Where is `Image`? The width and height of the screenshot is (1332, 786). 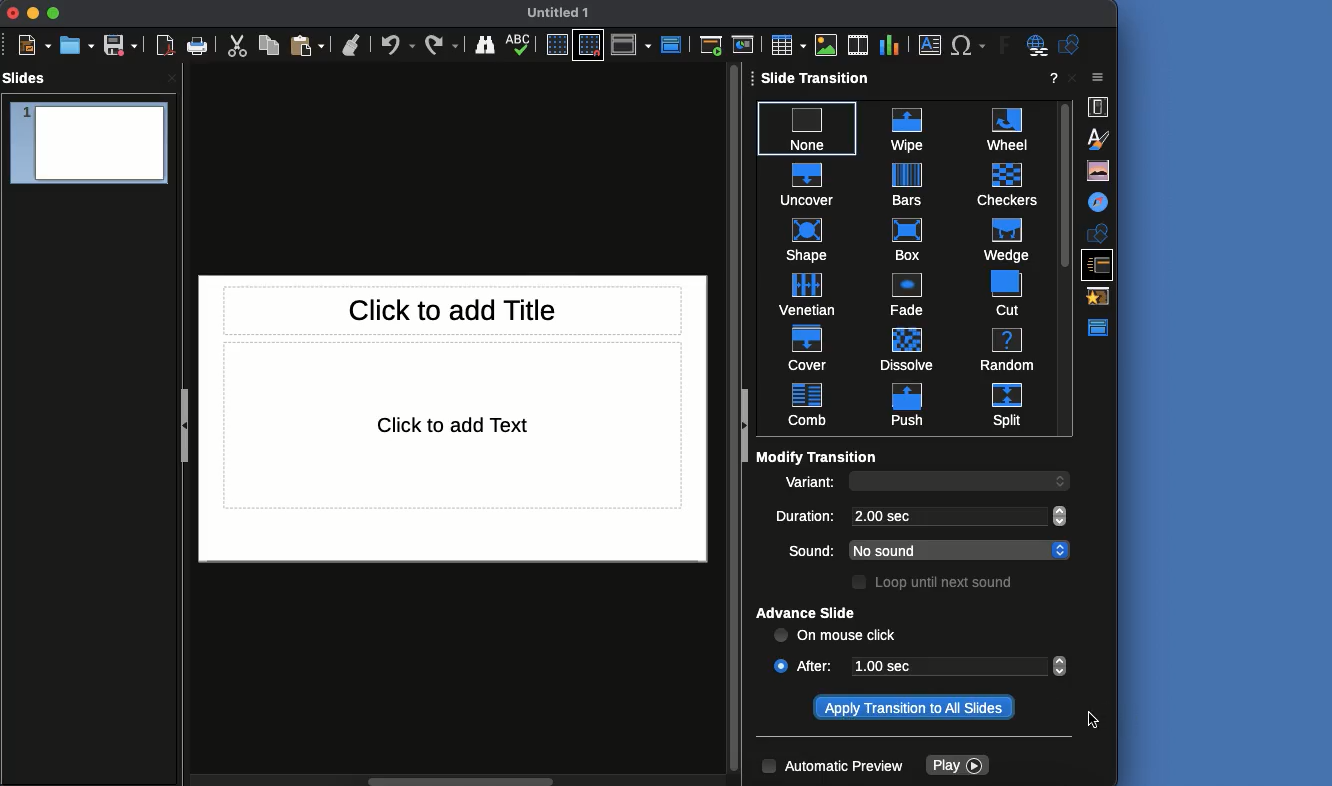 Image is located at coordinates (827, 43).